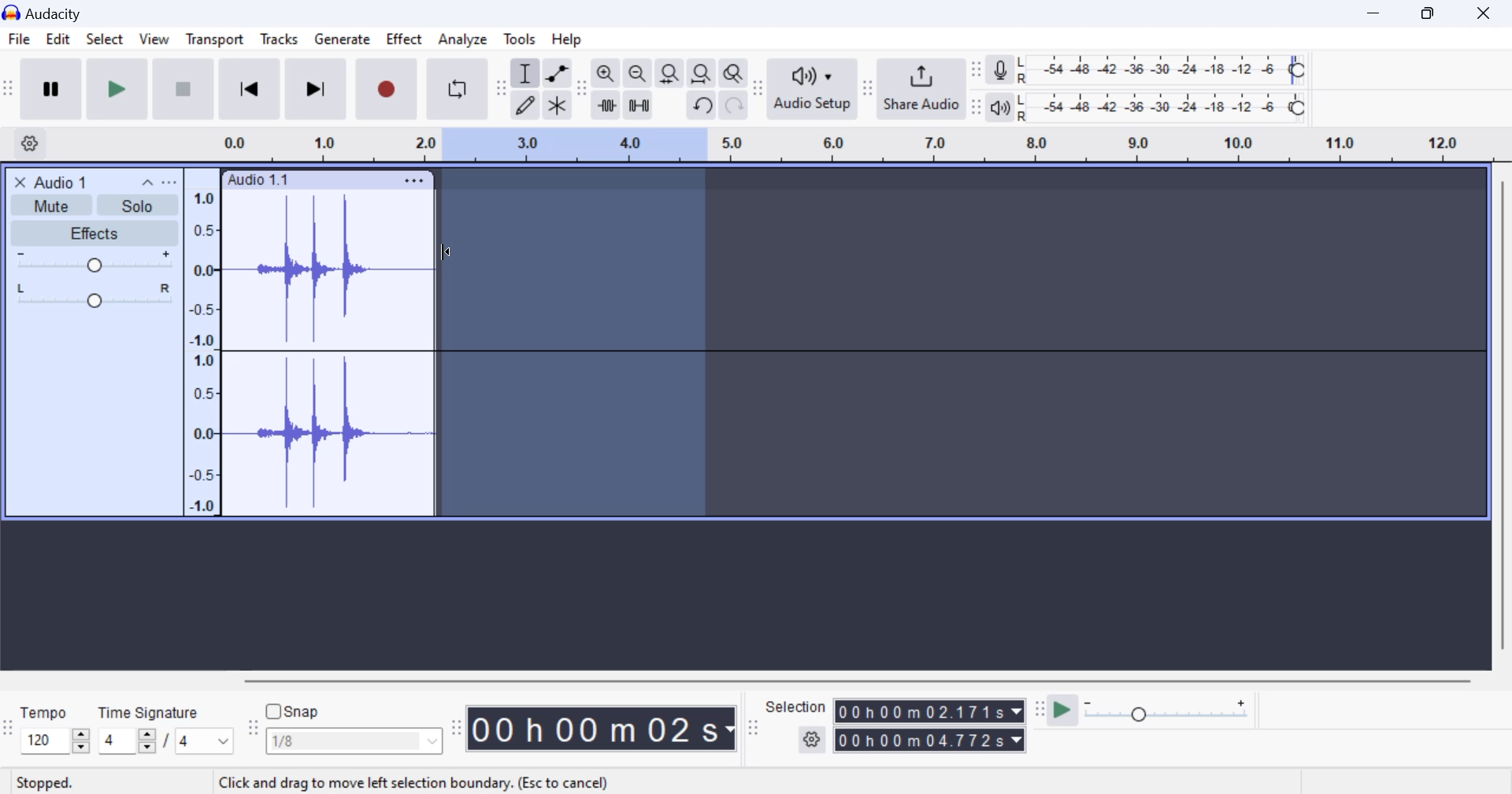 The image size is (1512, 794). I want to click on Cursor, so click(448, 256).